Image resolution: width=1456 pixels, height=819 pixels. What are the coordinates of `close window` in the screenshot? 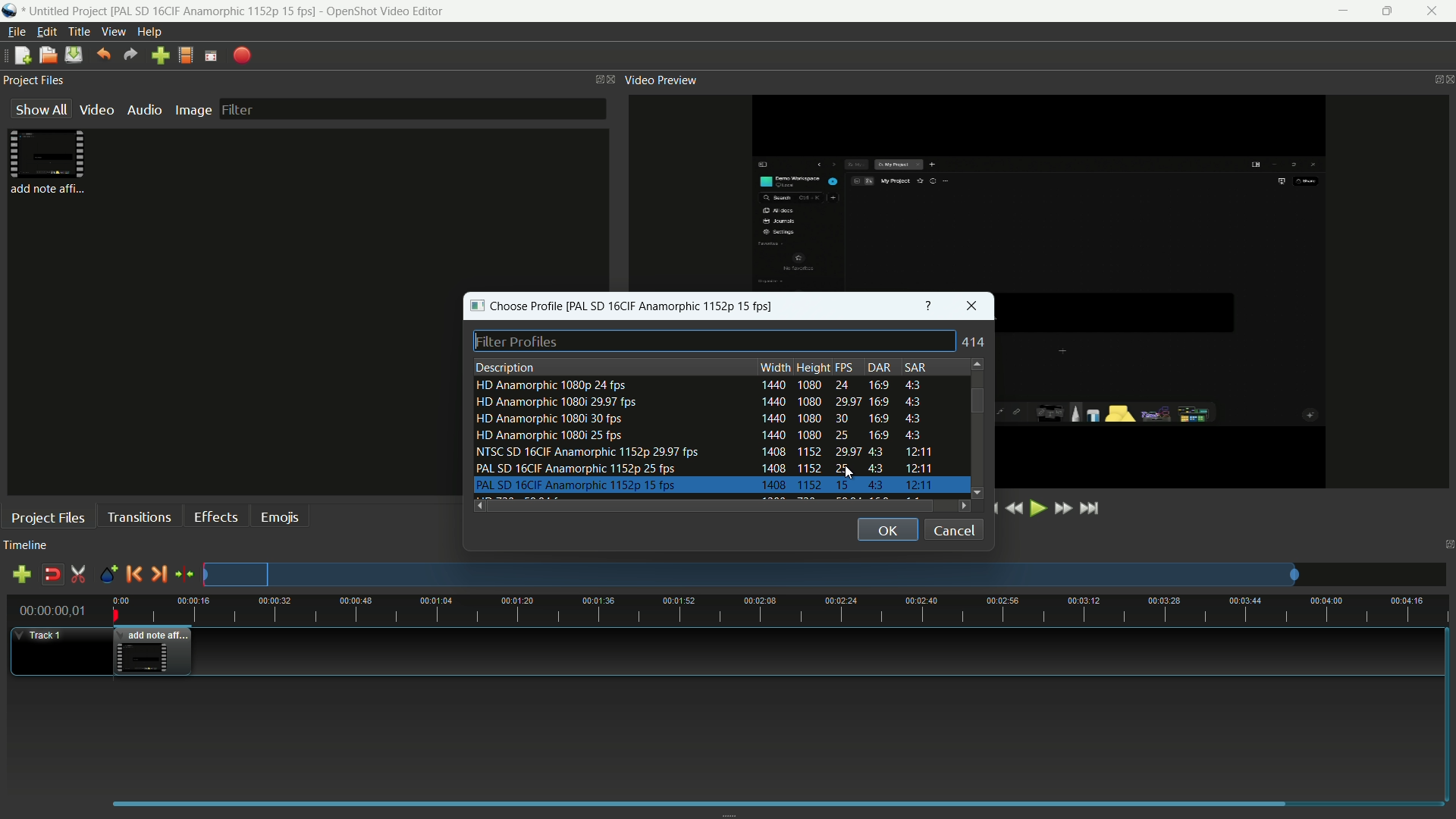 It's located at (971, 306).